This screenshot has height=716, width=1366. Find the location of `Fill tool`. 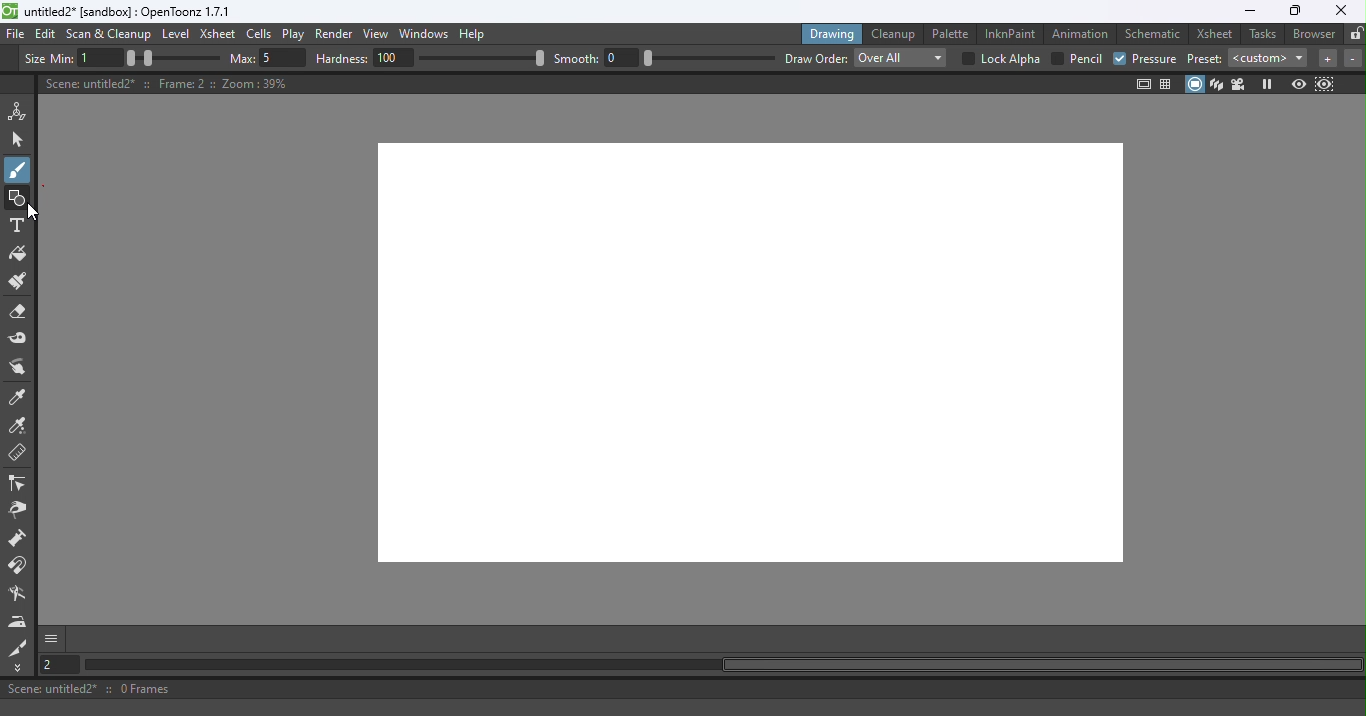

Fill tool is located at coordinates (18, 256).